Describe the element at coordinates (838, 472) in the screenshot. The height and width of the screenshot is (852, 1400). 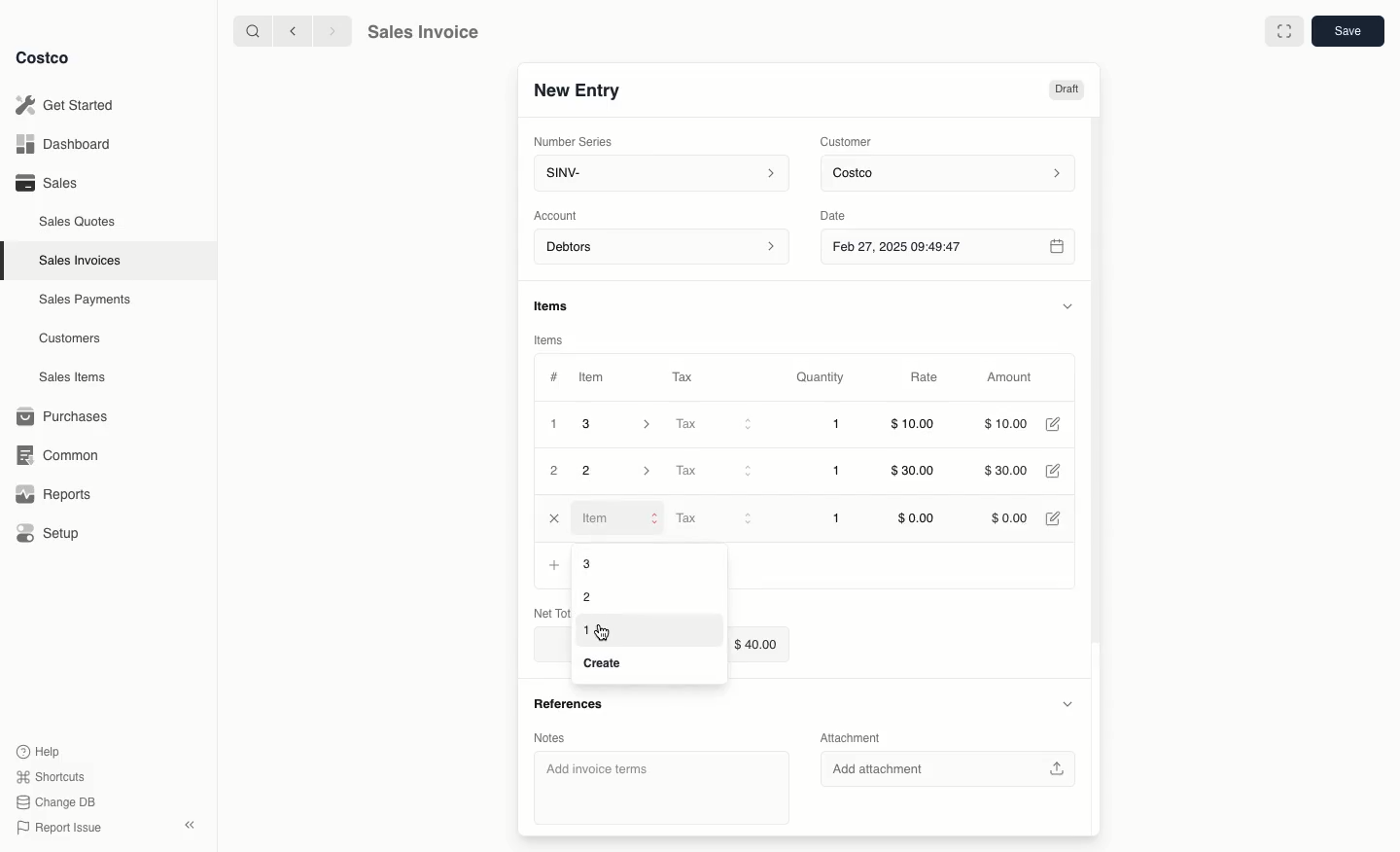
I see `1` at that location.